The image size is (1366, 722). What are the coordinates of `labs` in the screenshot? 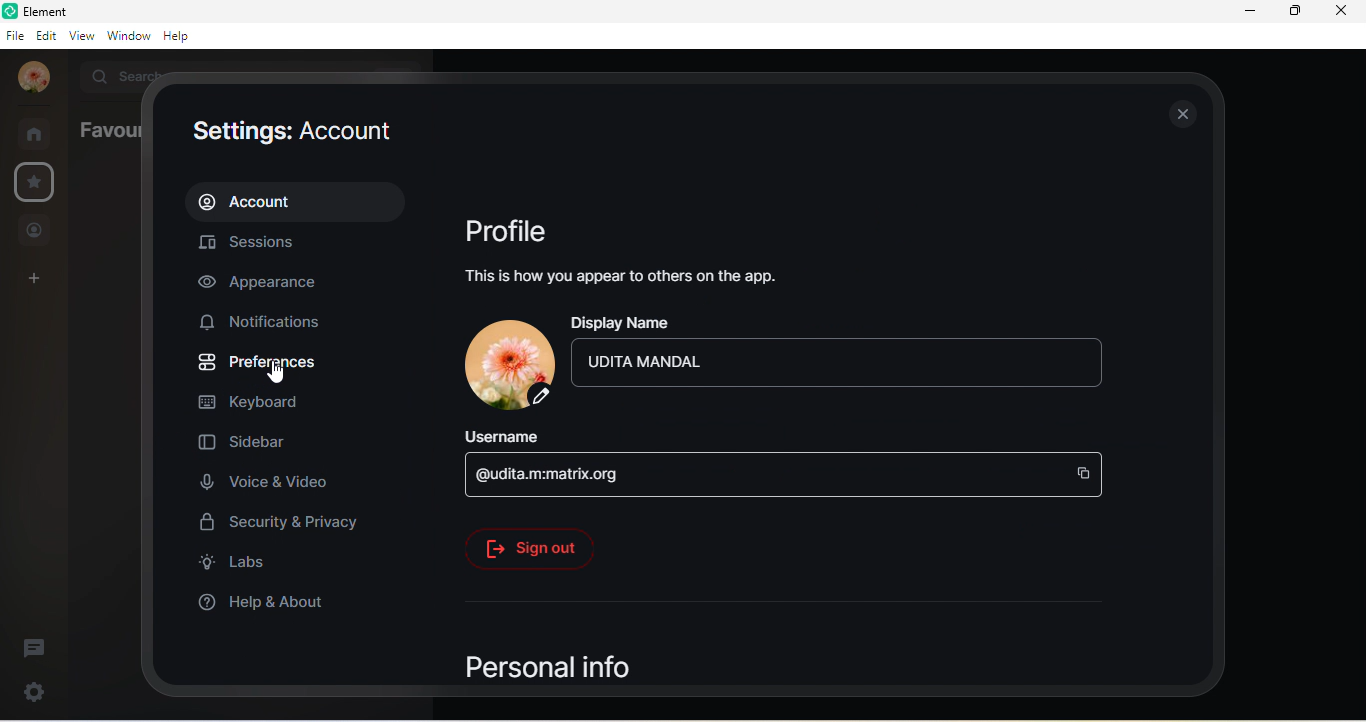 It's located at (244, 567).